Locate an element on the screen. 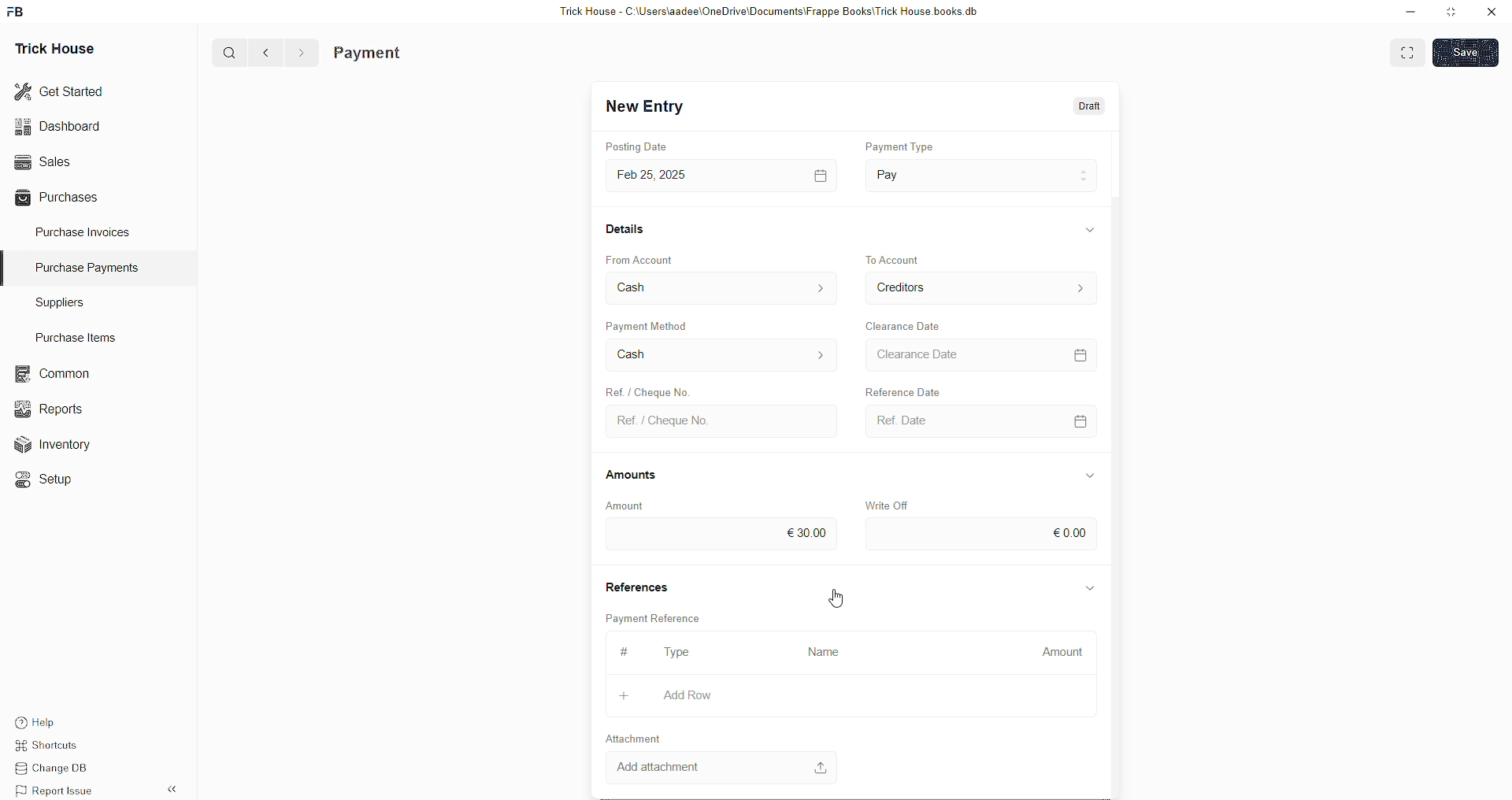 The height and width of the screenshot is (800, 1512). Suppliers is located at coordinates (54, 302).